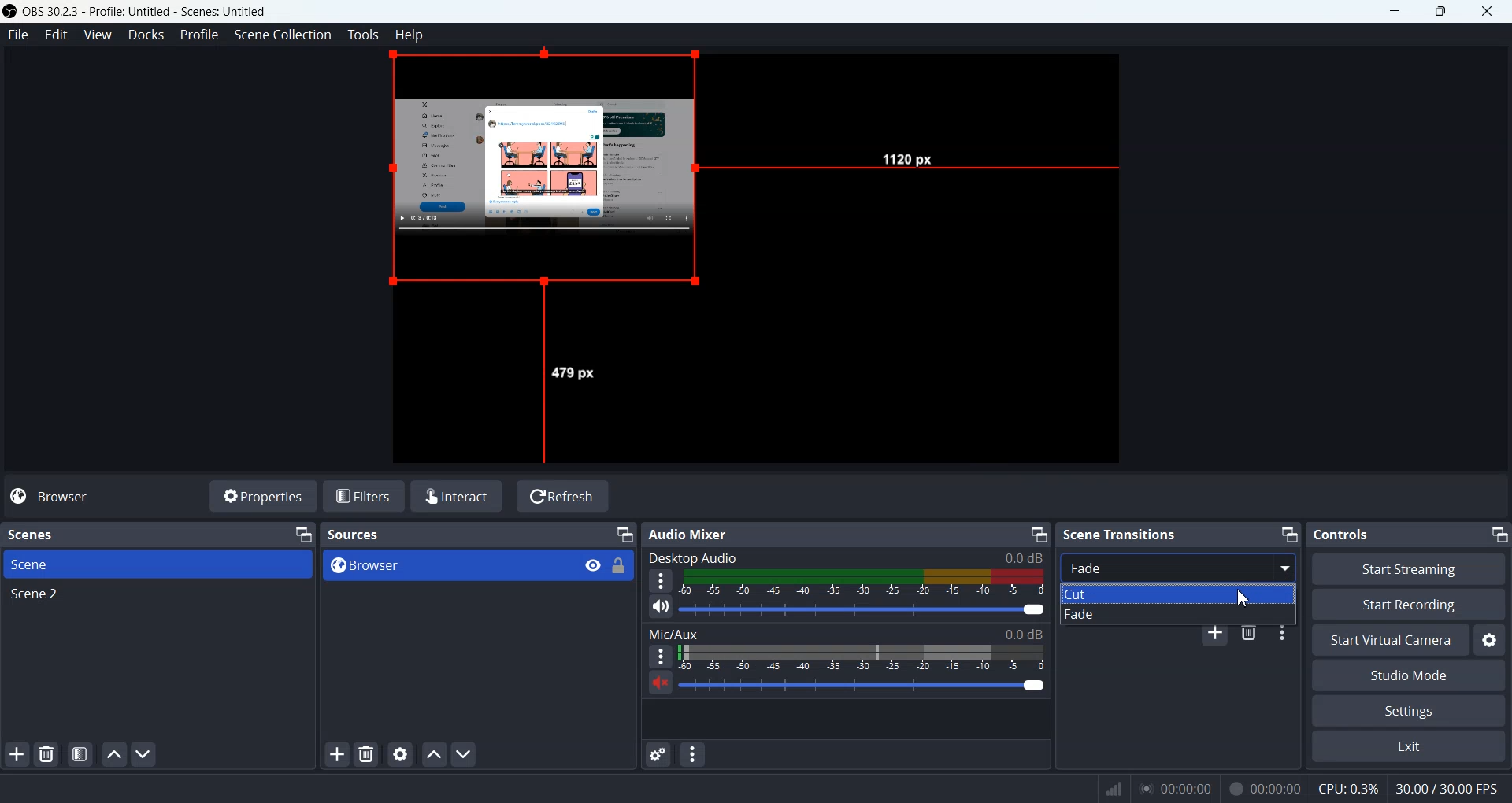 Image resolution: width=1512 pixels, height=803 pixels. Describe the element at coordinates (96, 35) in the screenshot. I see `View` at that location.